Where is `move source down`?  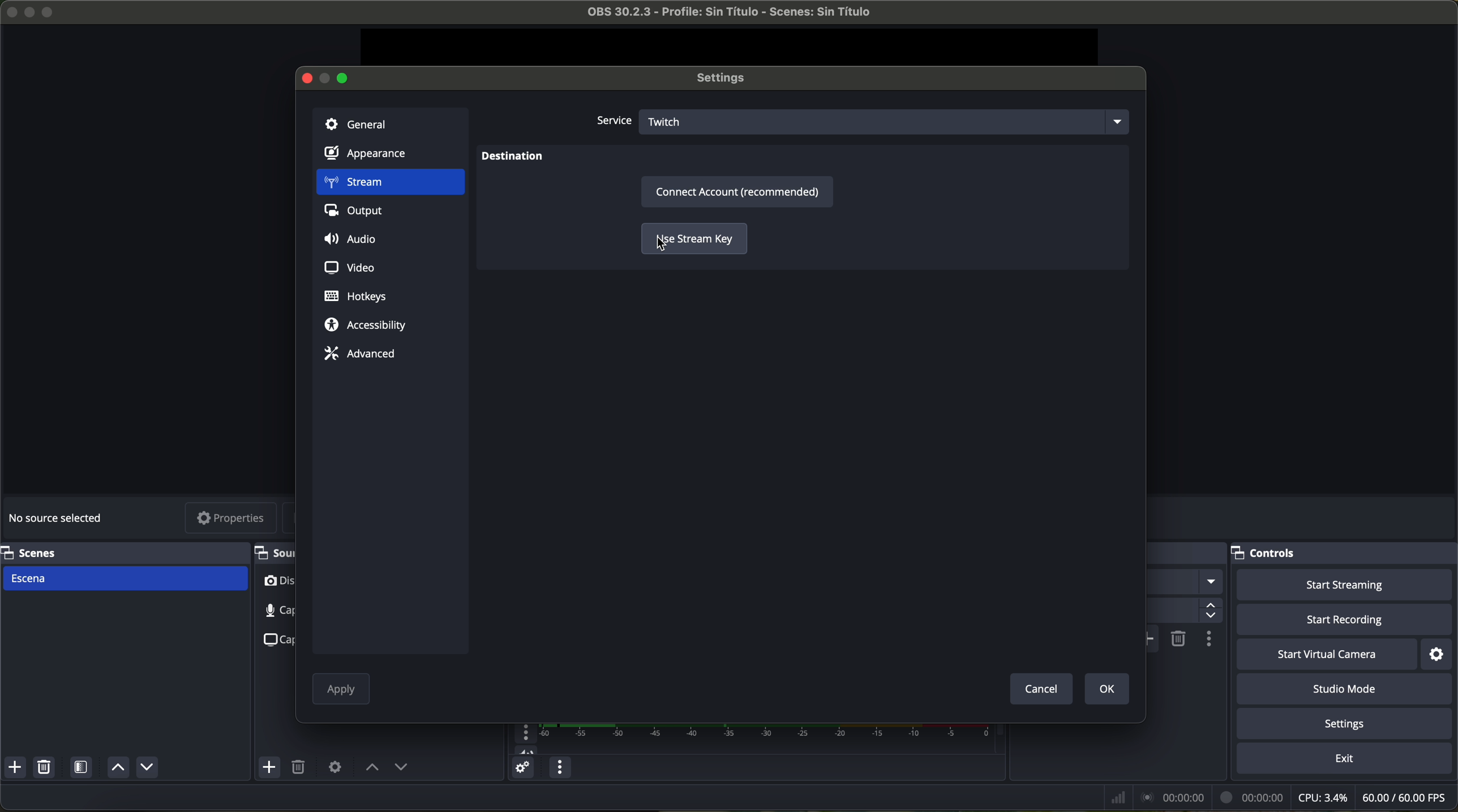 move source down is located at coordinates (401, 768).